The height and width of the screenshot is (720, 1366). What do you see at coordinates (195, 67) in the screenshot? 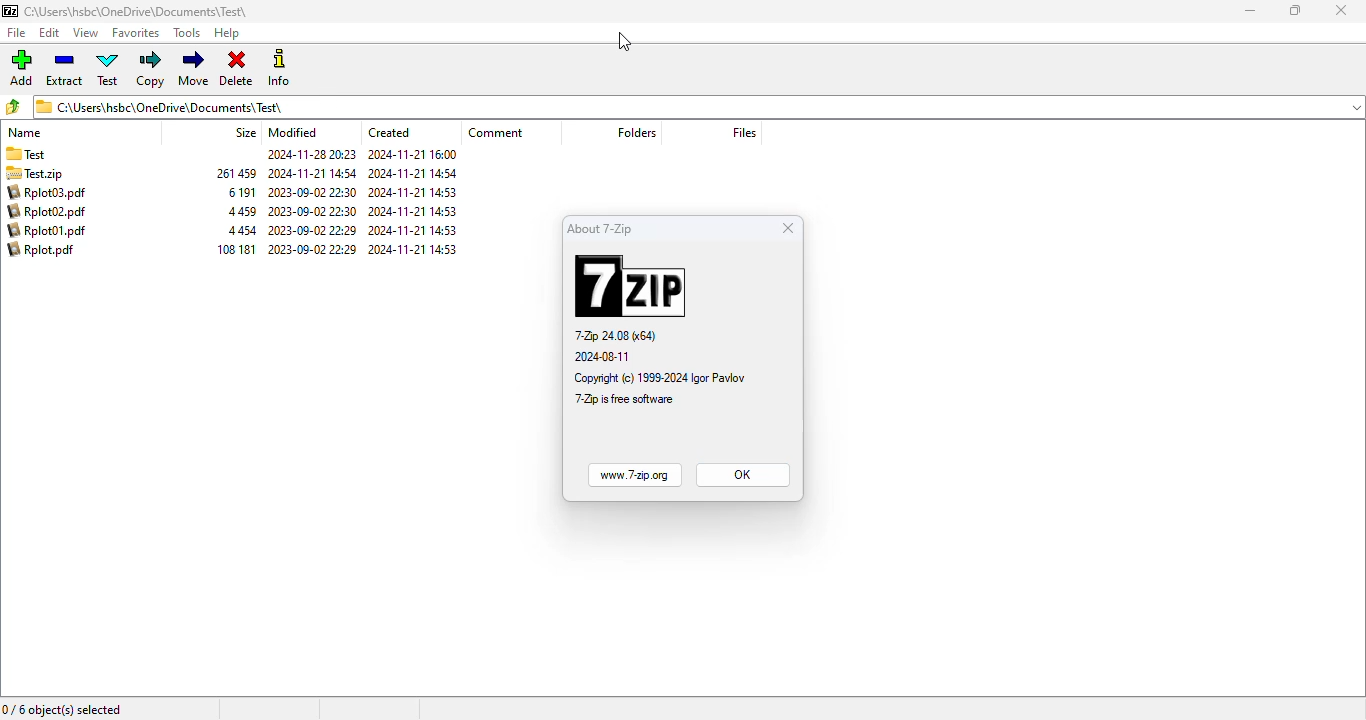
I see `move` at bounding box center [195, 67].